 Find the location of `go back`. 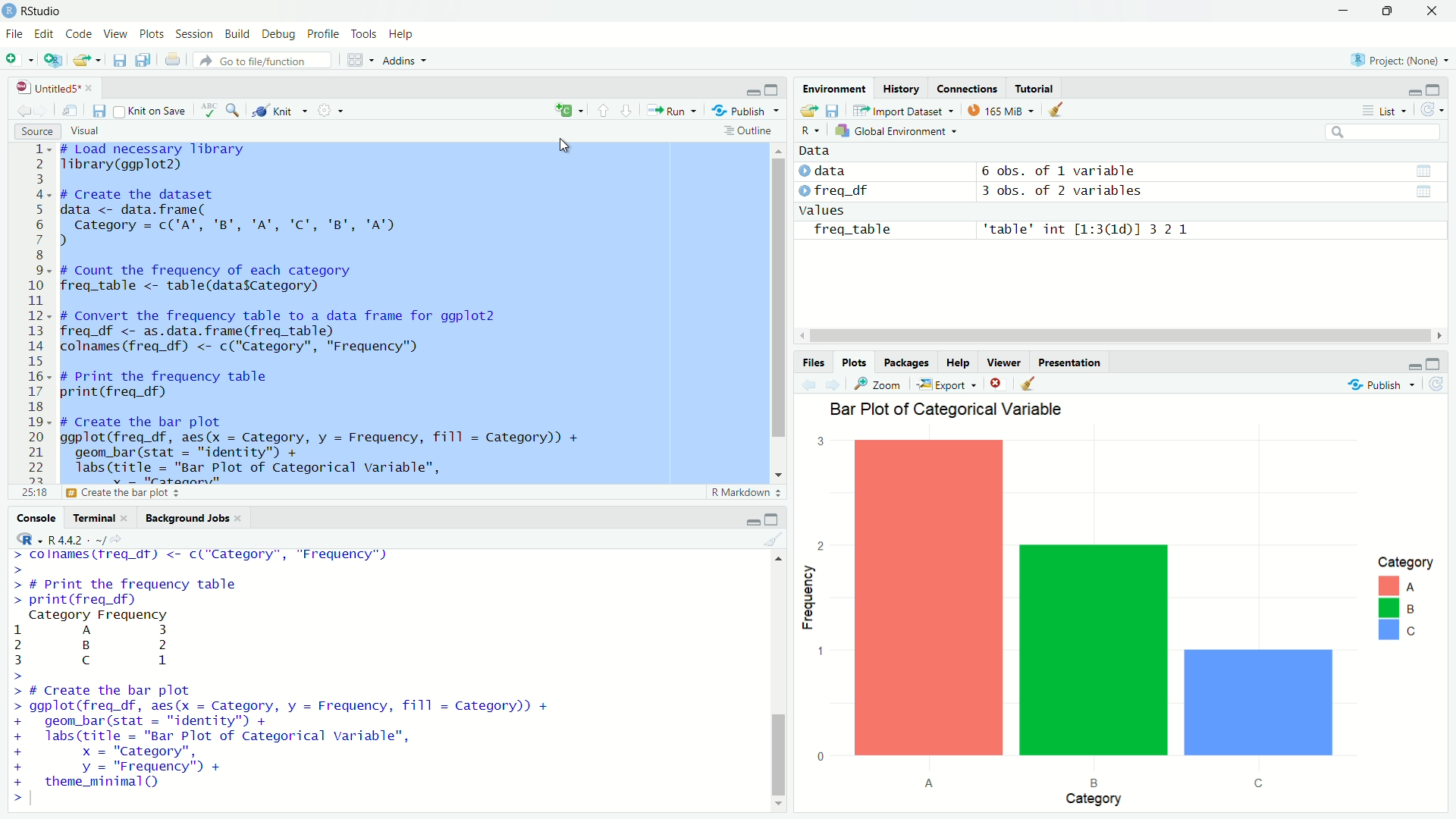

go back is located at coordinates (24, 111).